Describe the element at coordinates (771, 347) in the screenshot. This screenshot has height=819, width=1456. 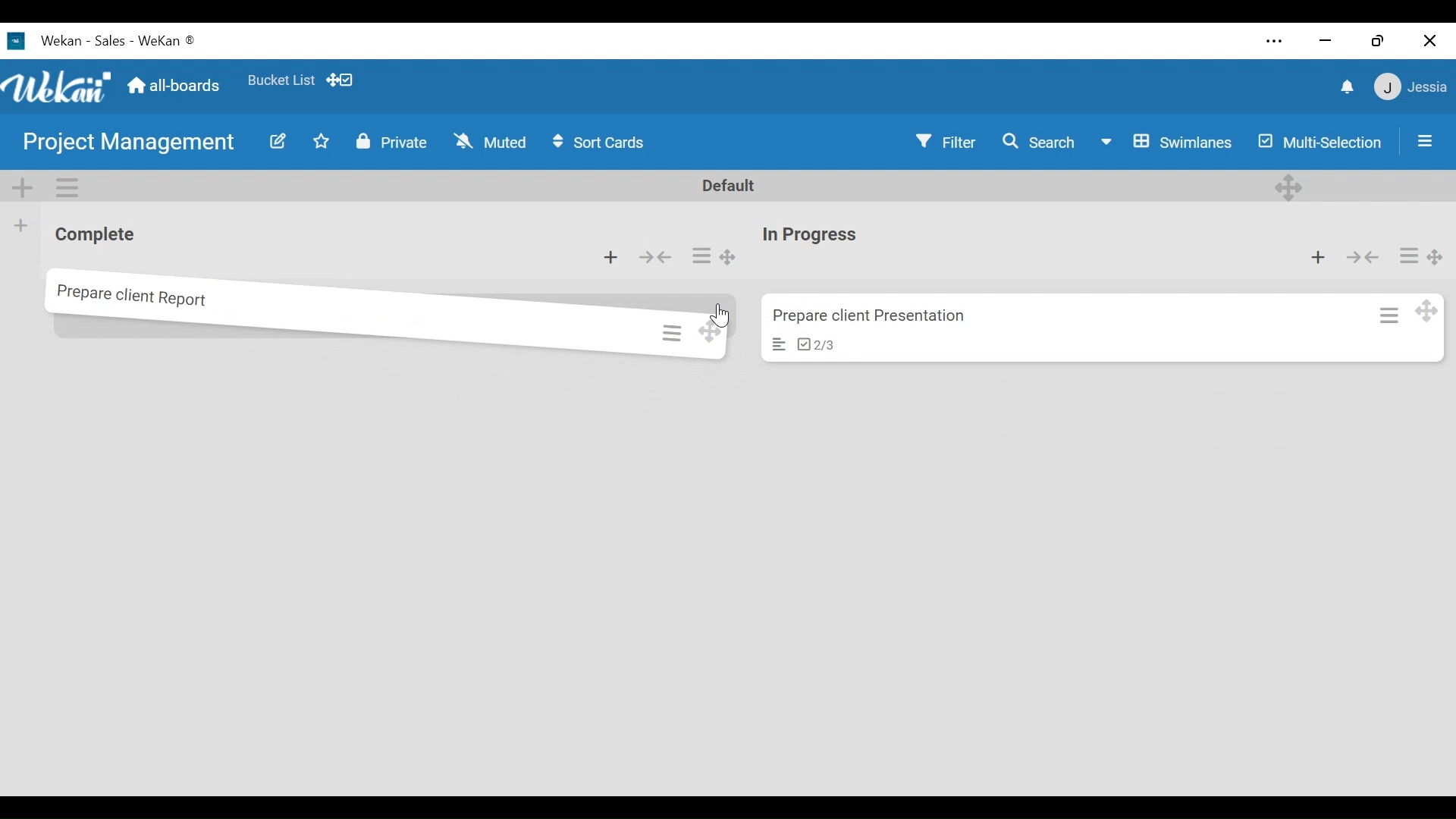
I see `card description` at that location.